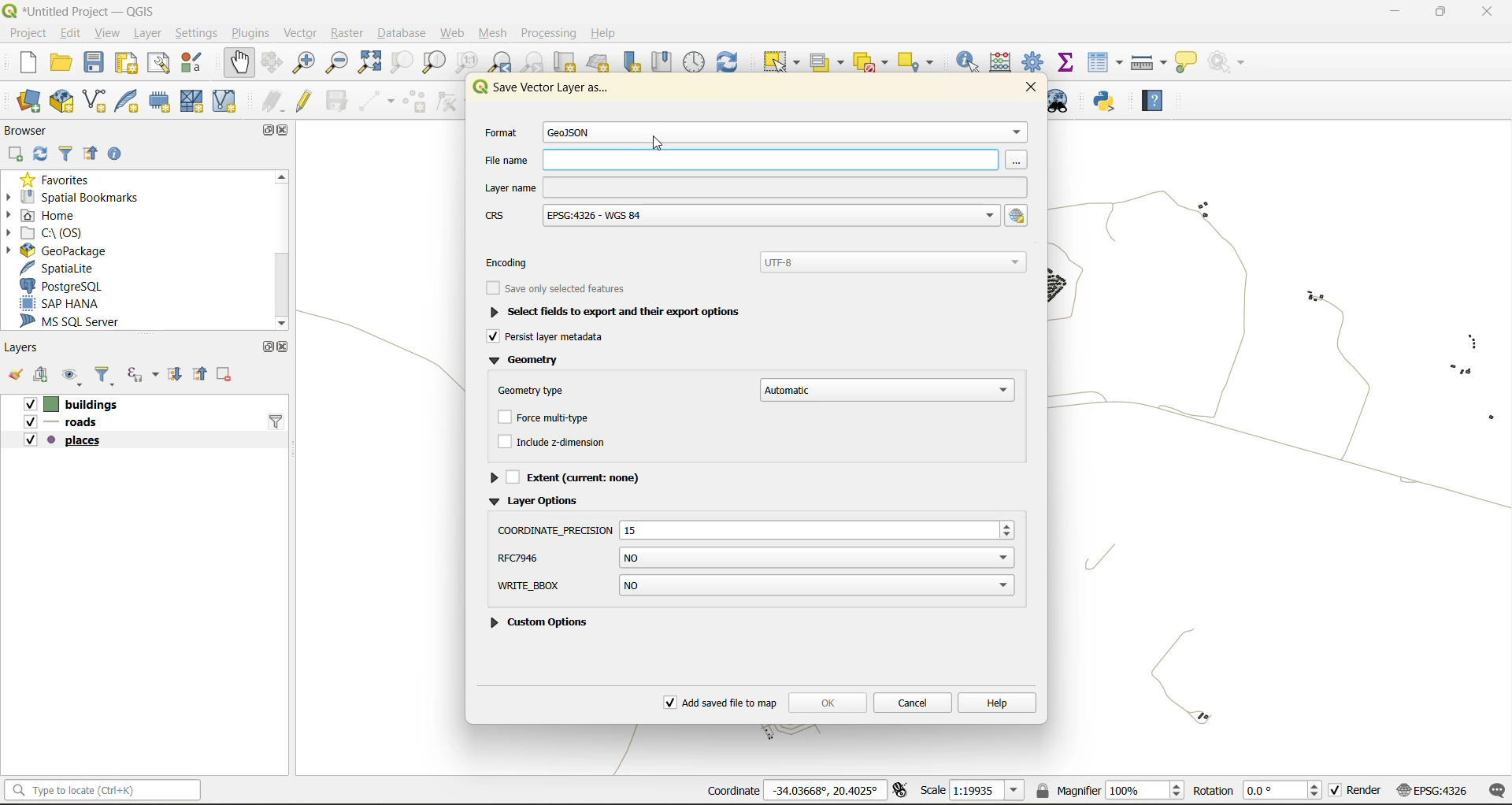 Image resolution: width=1512 pixels, height=805 pixels. I want to click on layer options, so click(552, 501).